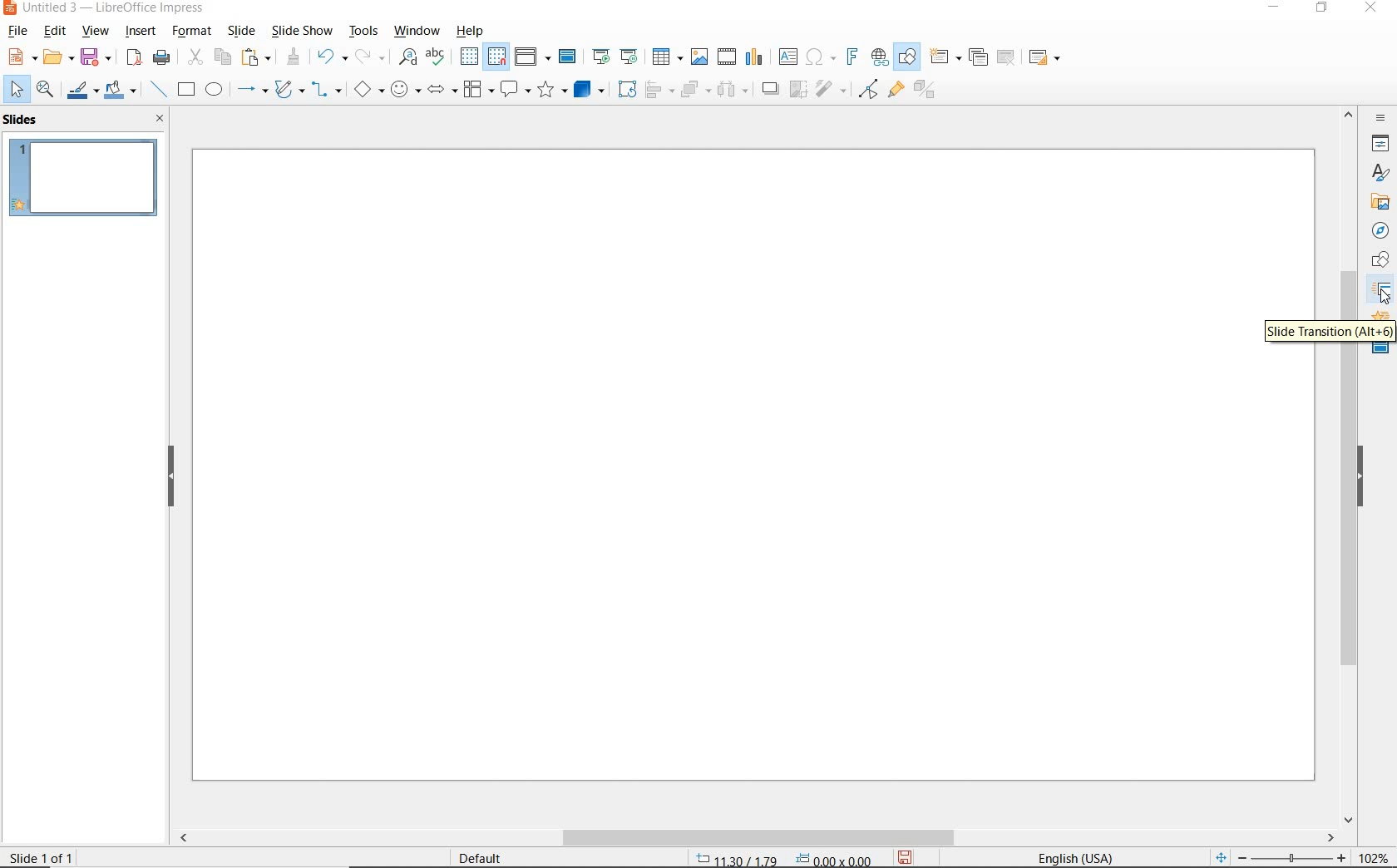 This screenshot has width=1397, height=868. What do you see at coordinates (221, 55) in the screenshot?
I see `COPY` at bounding box center [221, 55].